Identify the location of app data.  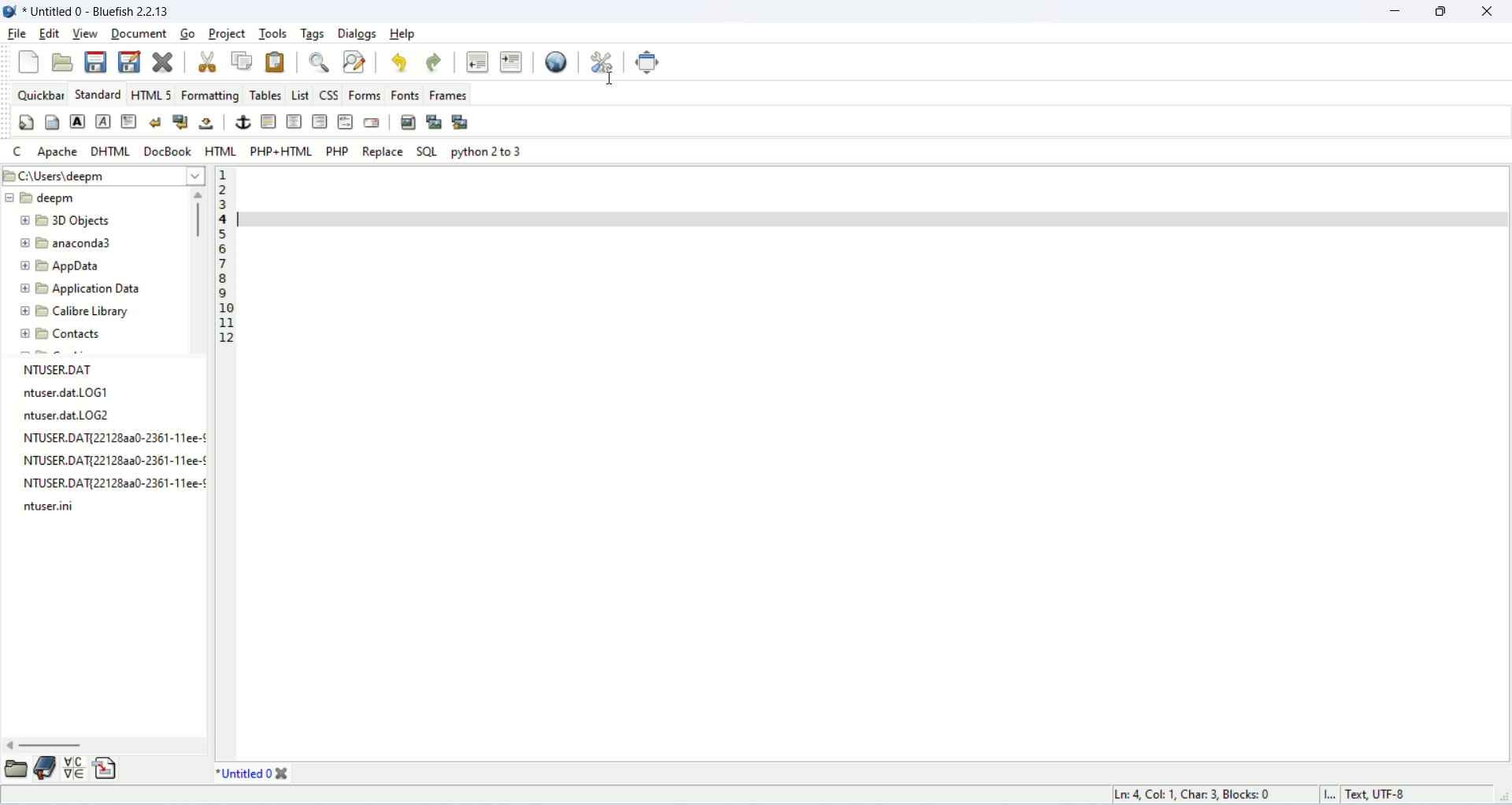
(61, 265).